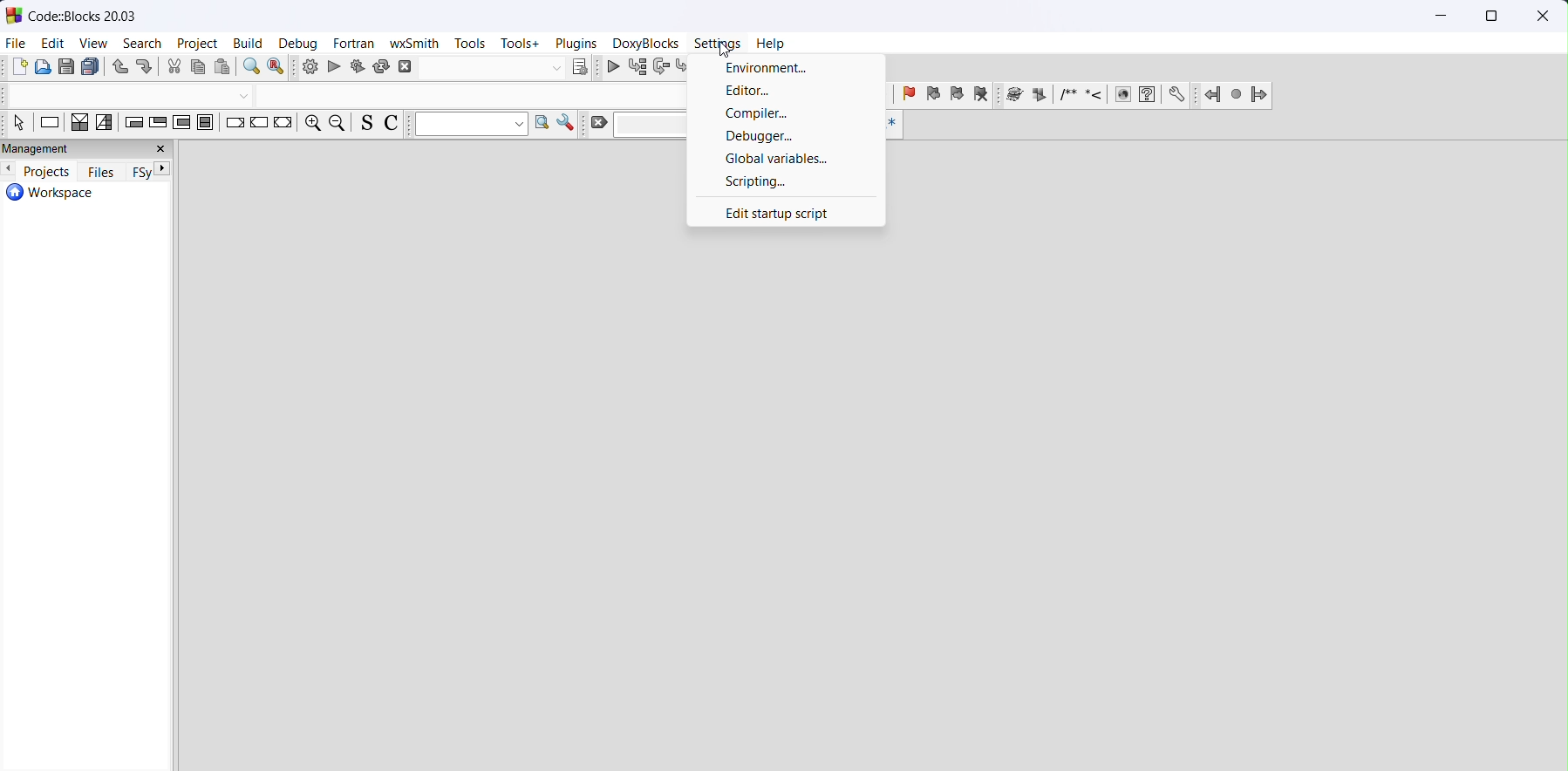  Describe the element at coordinates (223, 67) in the screenshot. I see `paste` at that location.